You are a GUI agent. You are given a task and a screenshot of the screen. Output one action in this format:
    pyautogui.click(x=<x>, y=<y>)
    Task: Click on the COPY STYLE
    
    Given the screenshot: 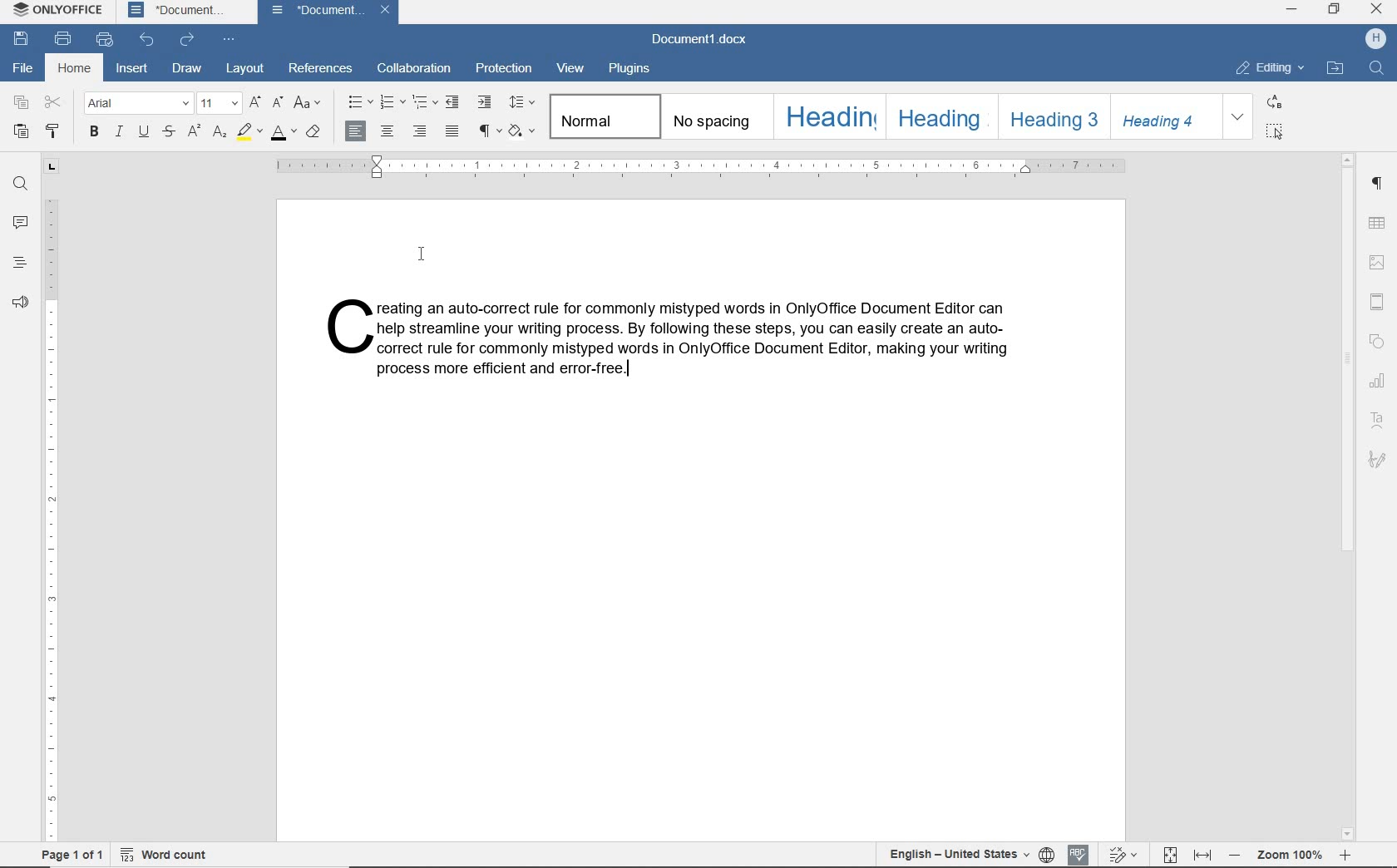 What is the action you would take?
    pyautogui.click(x=55, y=131)
    